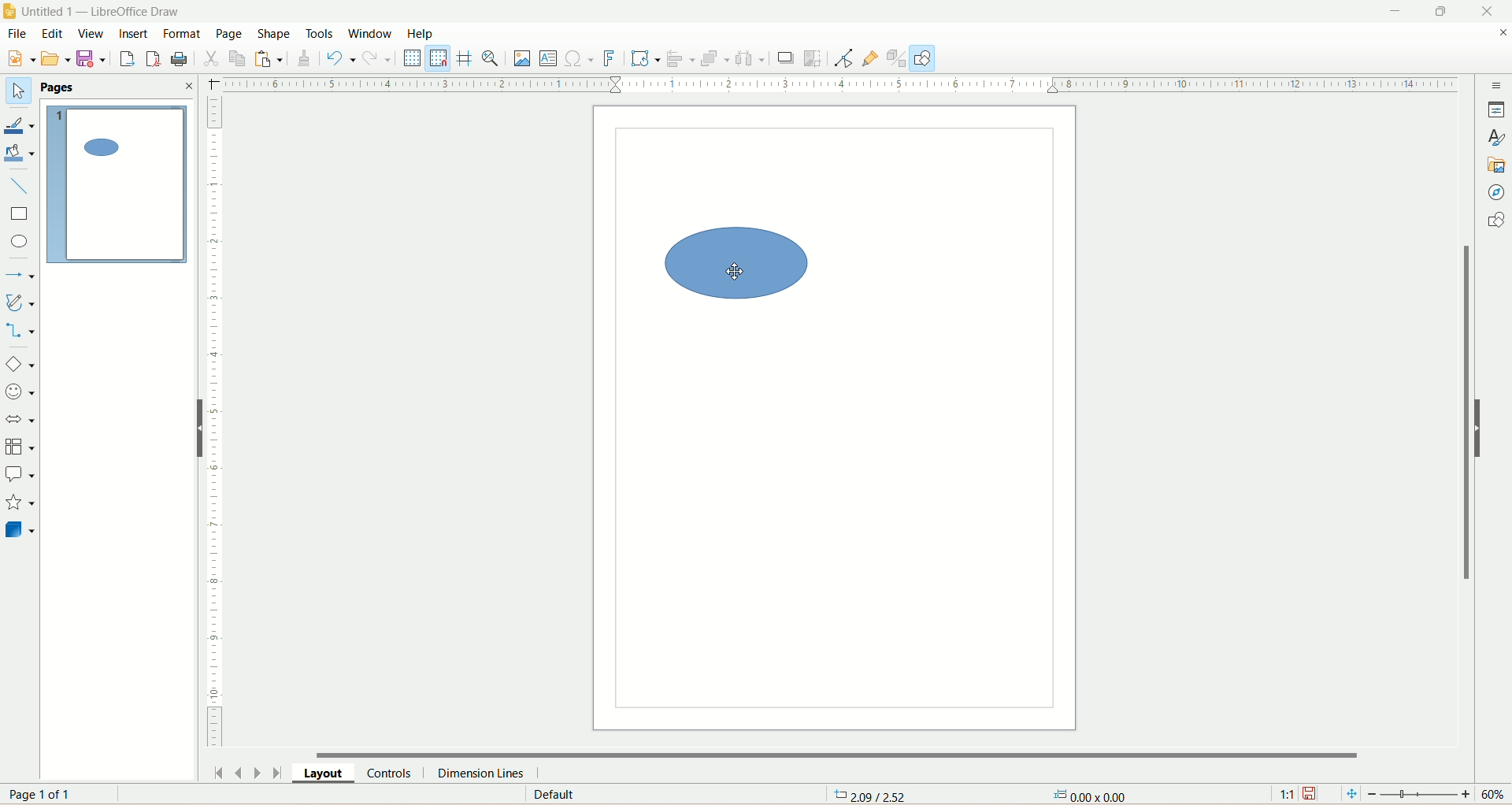  What do you see at coordinates (835, 417) in the screenshot?
I see `workspace` at bounding box center [835, 417].